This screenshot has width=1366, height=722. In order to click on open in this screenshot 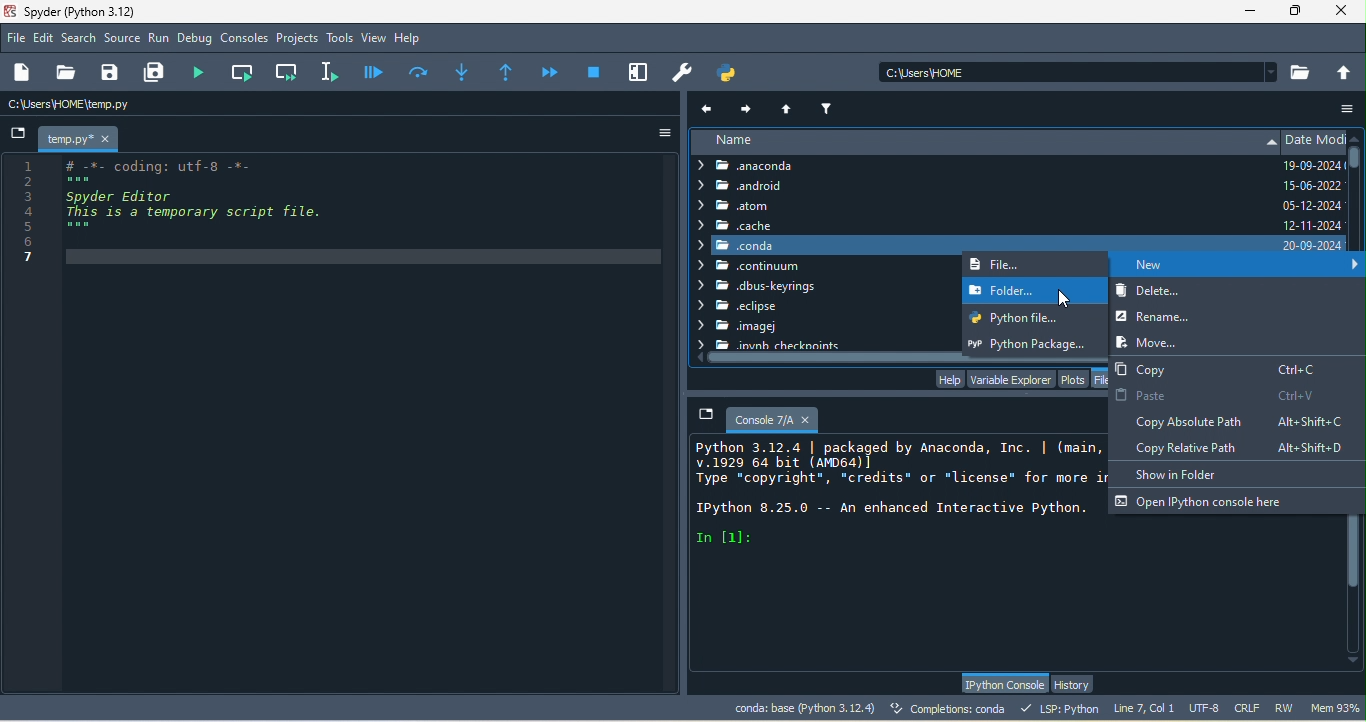, I will do `click(65, 73)`.